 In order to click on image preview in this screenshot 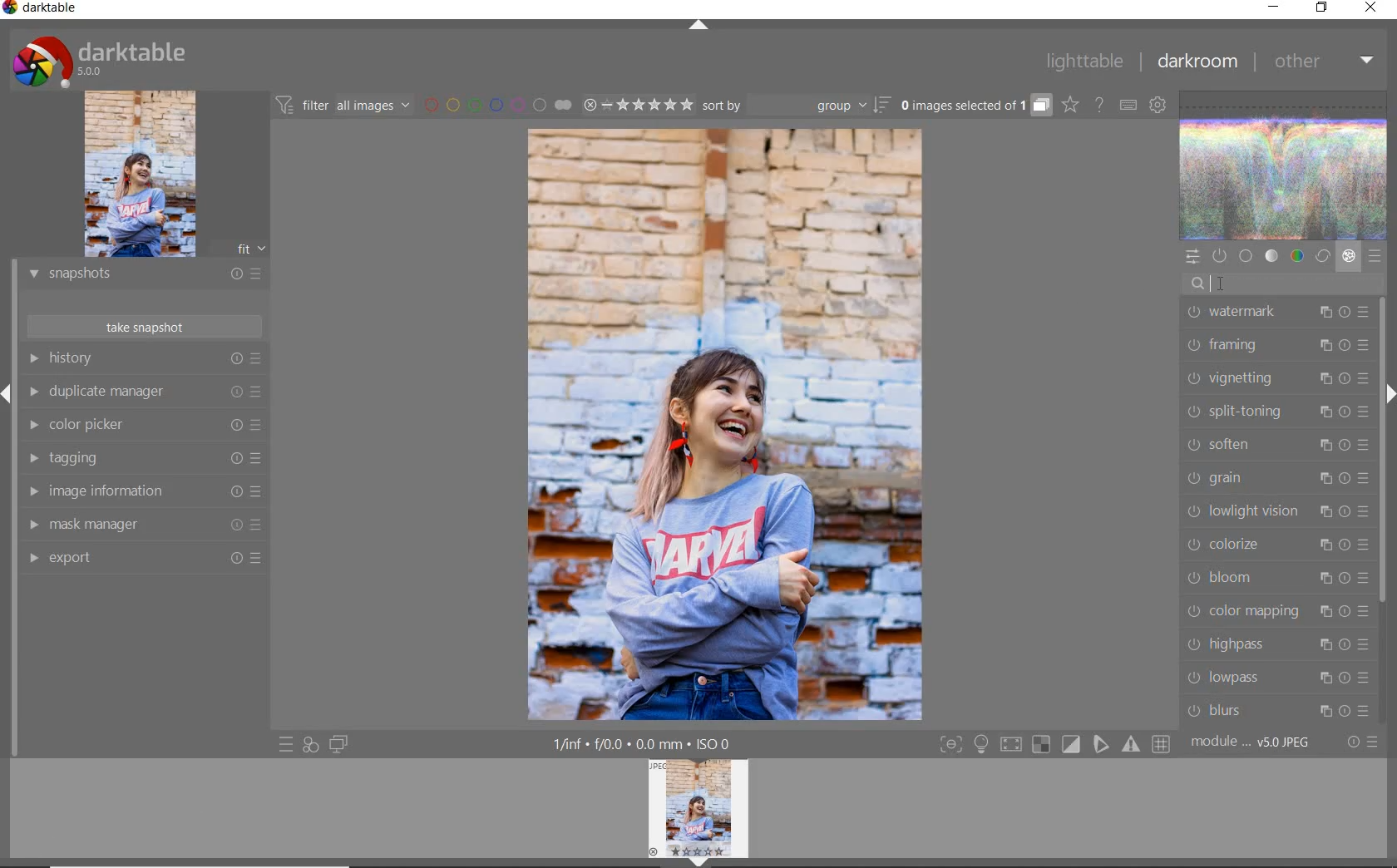, I will do `click(165, 175)`.